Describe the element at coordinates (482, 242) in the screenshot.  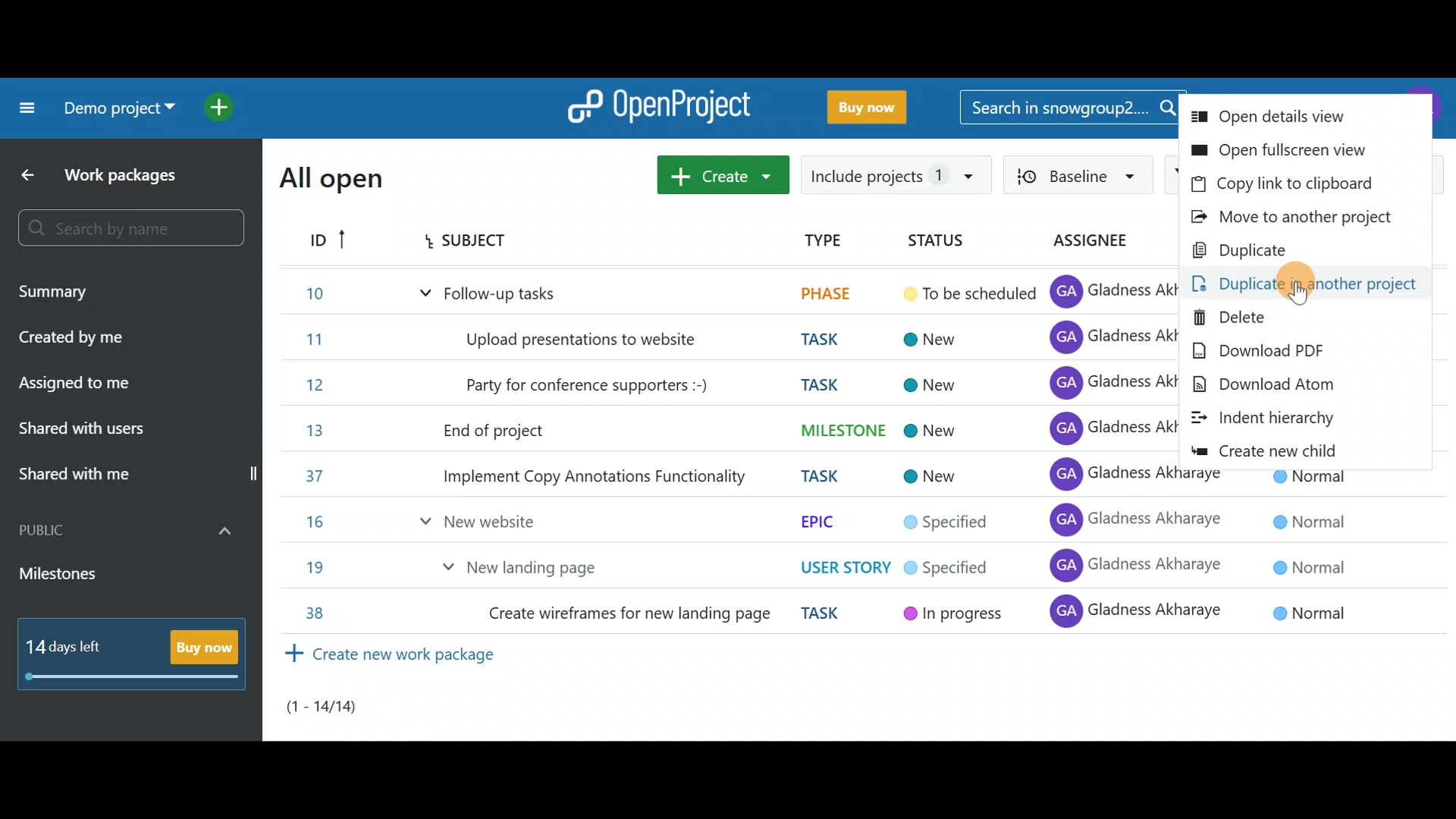
I see `Subject` at that location.